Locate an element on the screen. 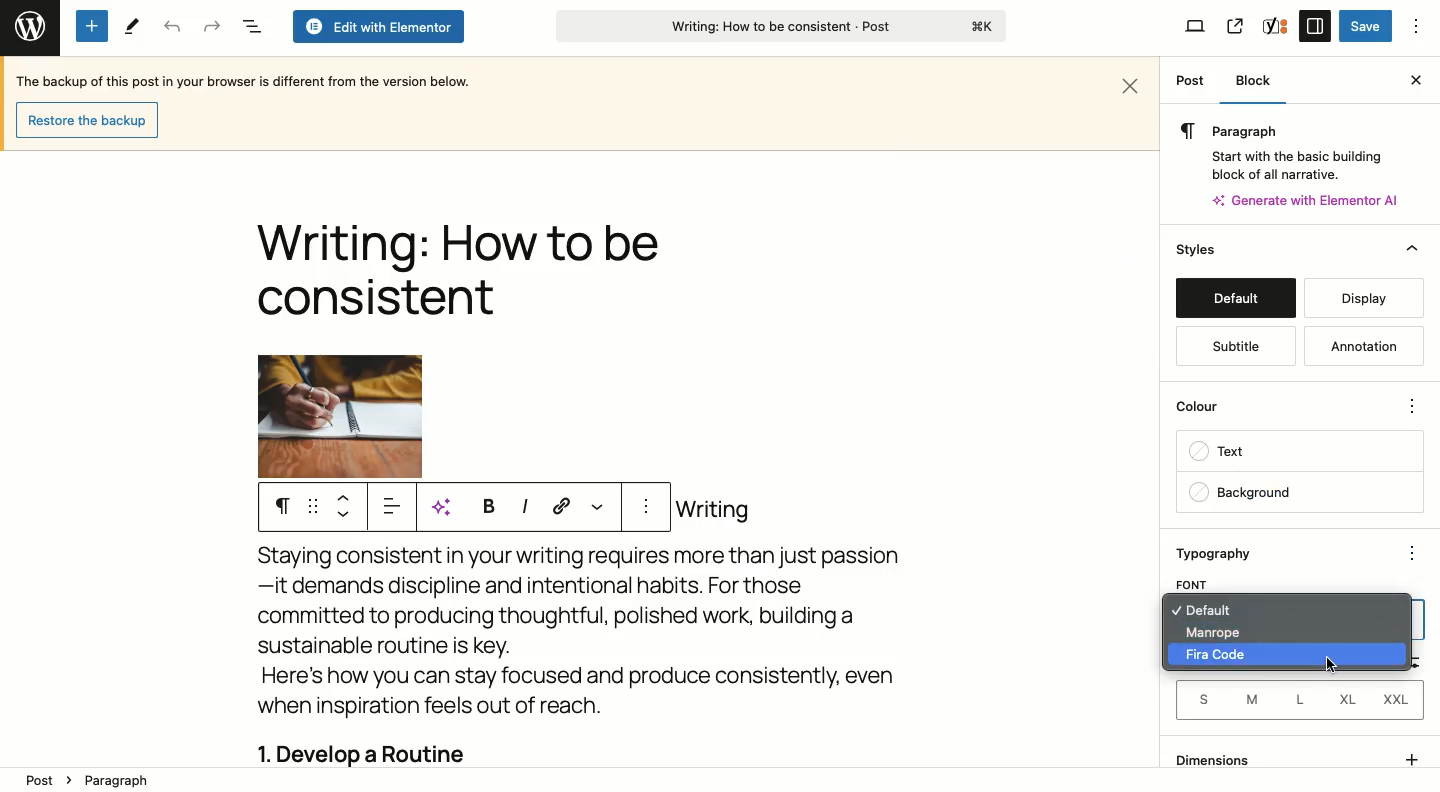 Image resolution: width=1440 pixels, height=792 pixels. Default  is located at coordinates (1223, 613).